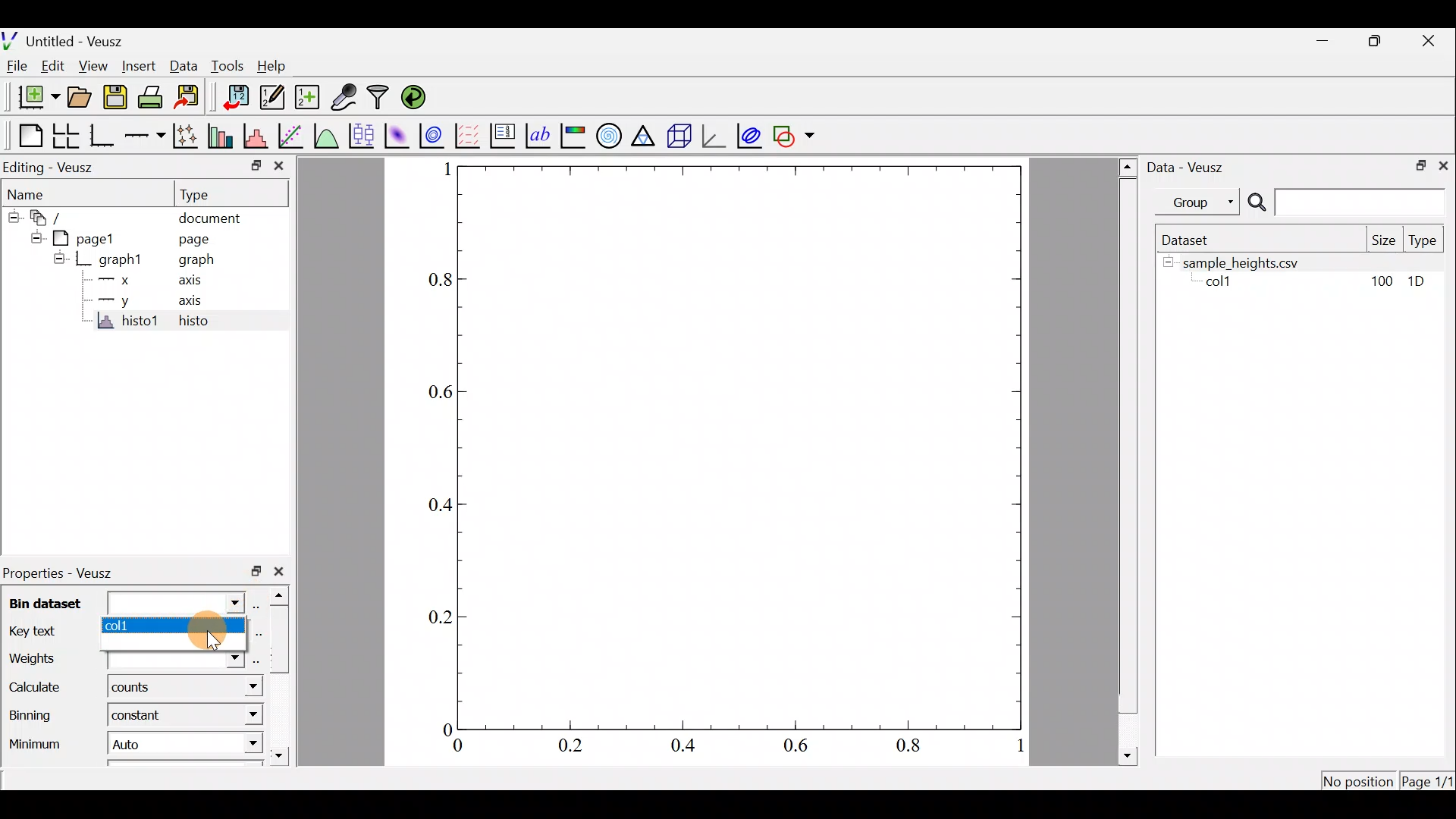 The image size is (1456, 819). Describe the element at coordinates (259, 604) in the screenshot. I see `select using dataset browser` at that location.